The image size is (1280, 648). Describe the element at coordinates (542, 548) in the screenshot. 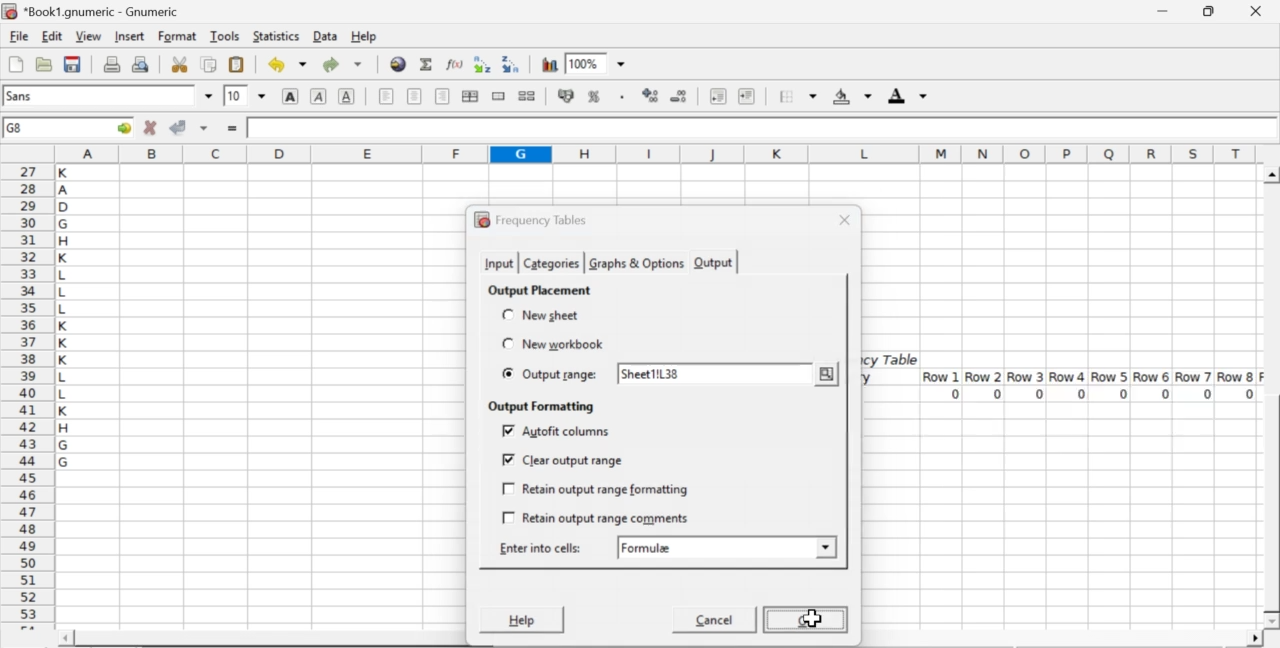

I see `enter into cells:` at that location.